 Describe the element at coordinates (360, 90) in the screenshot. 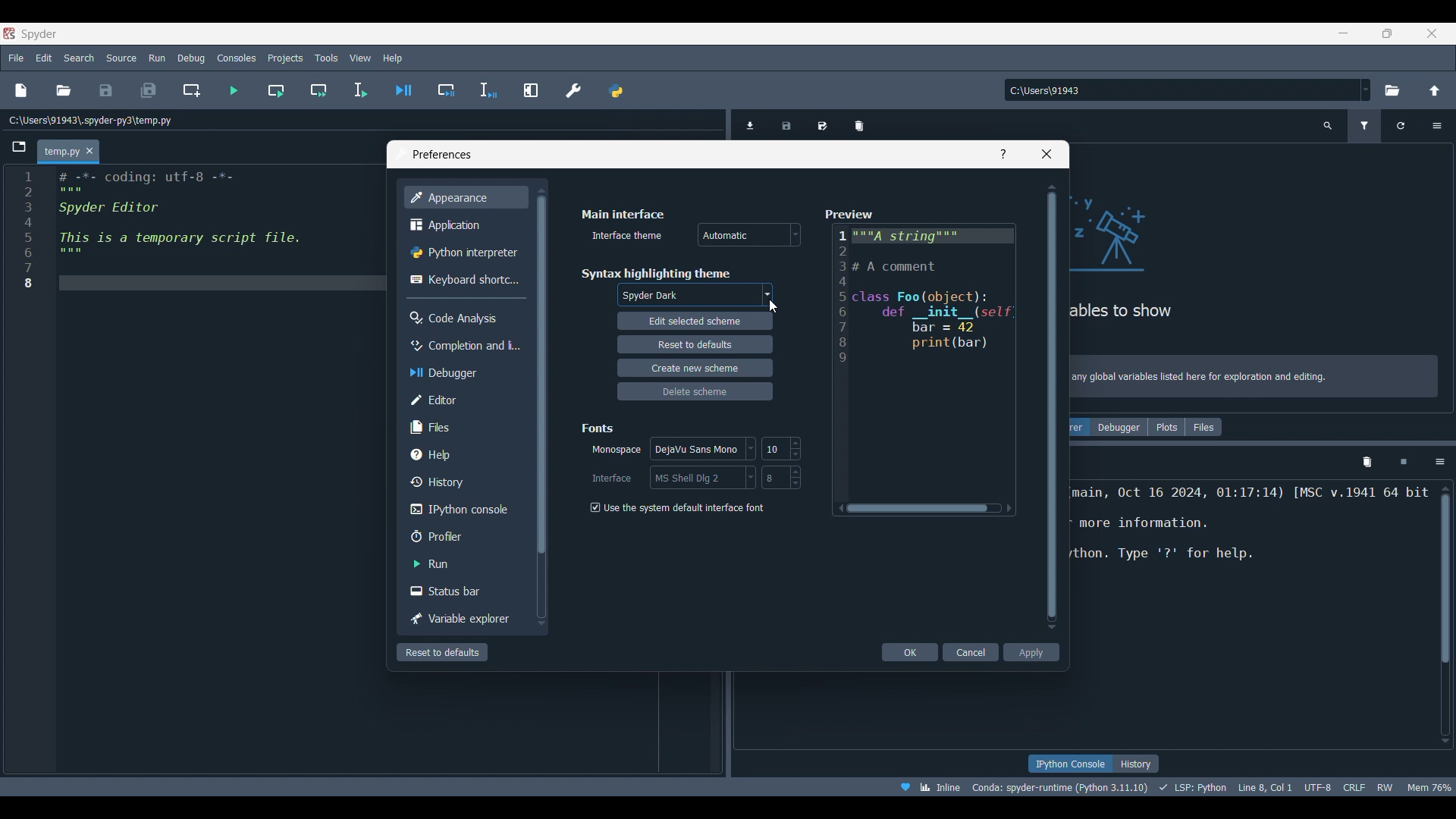

I see `Run selection/current line` at that location.